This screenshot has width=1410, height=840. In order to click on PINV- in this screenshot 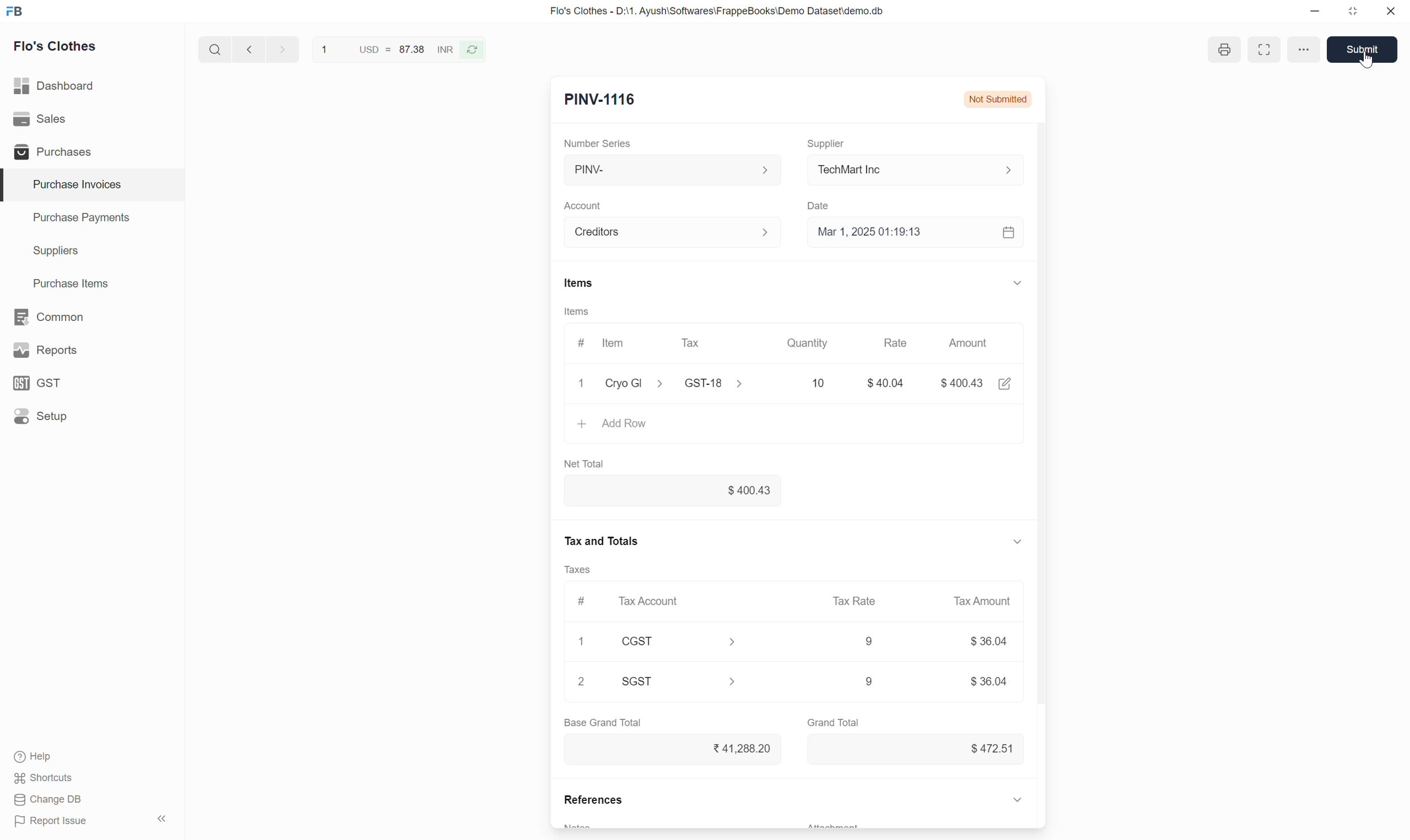, I will do `click(670, 170)`.